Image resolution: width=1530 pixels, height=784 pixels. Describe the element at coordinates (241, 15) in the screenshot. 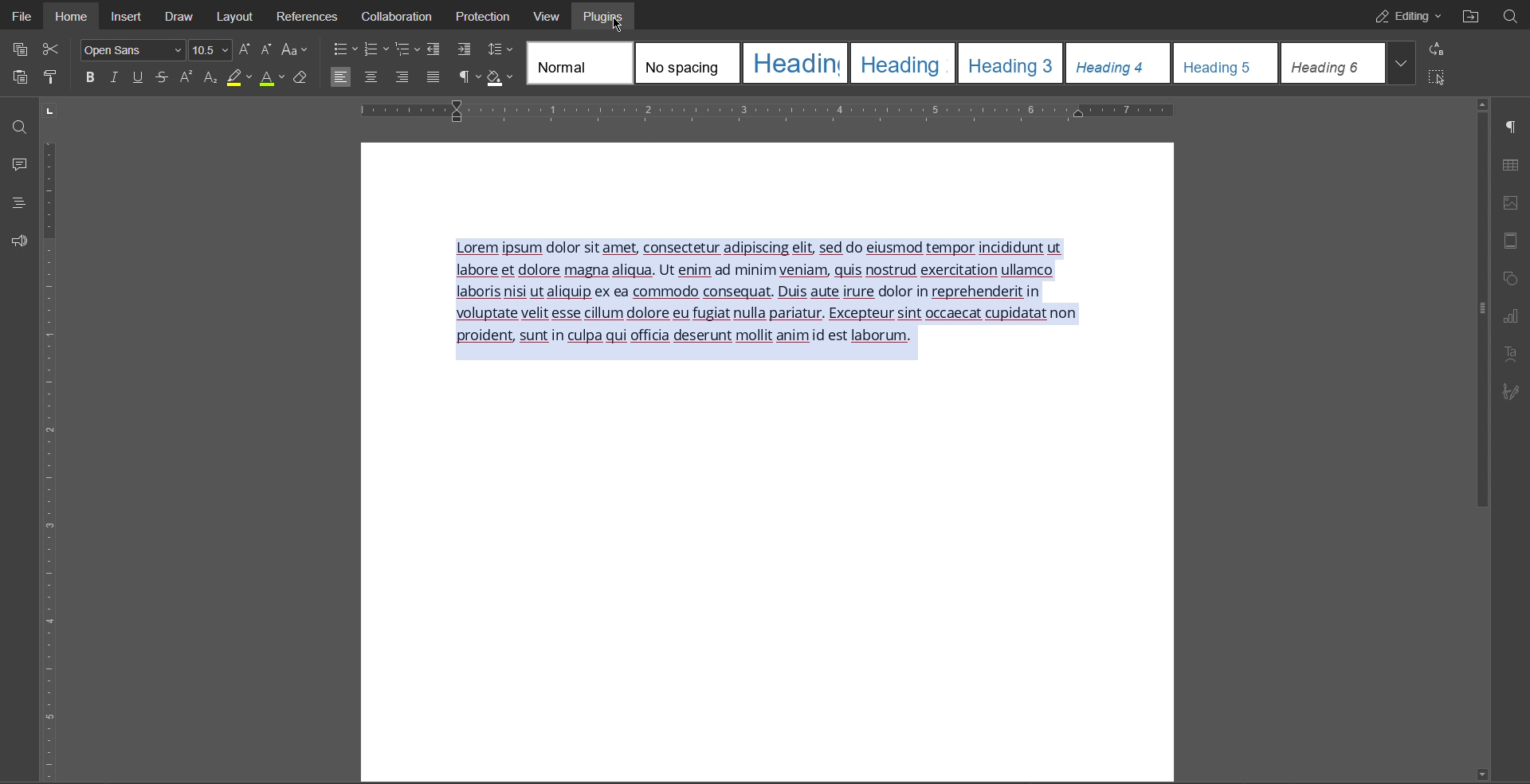

I see `Layout` at that location.